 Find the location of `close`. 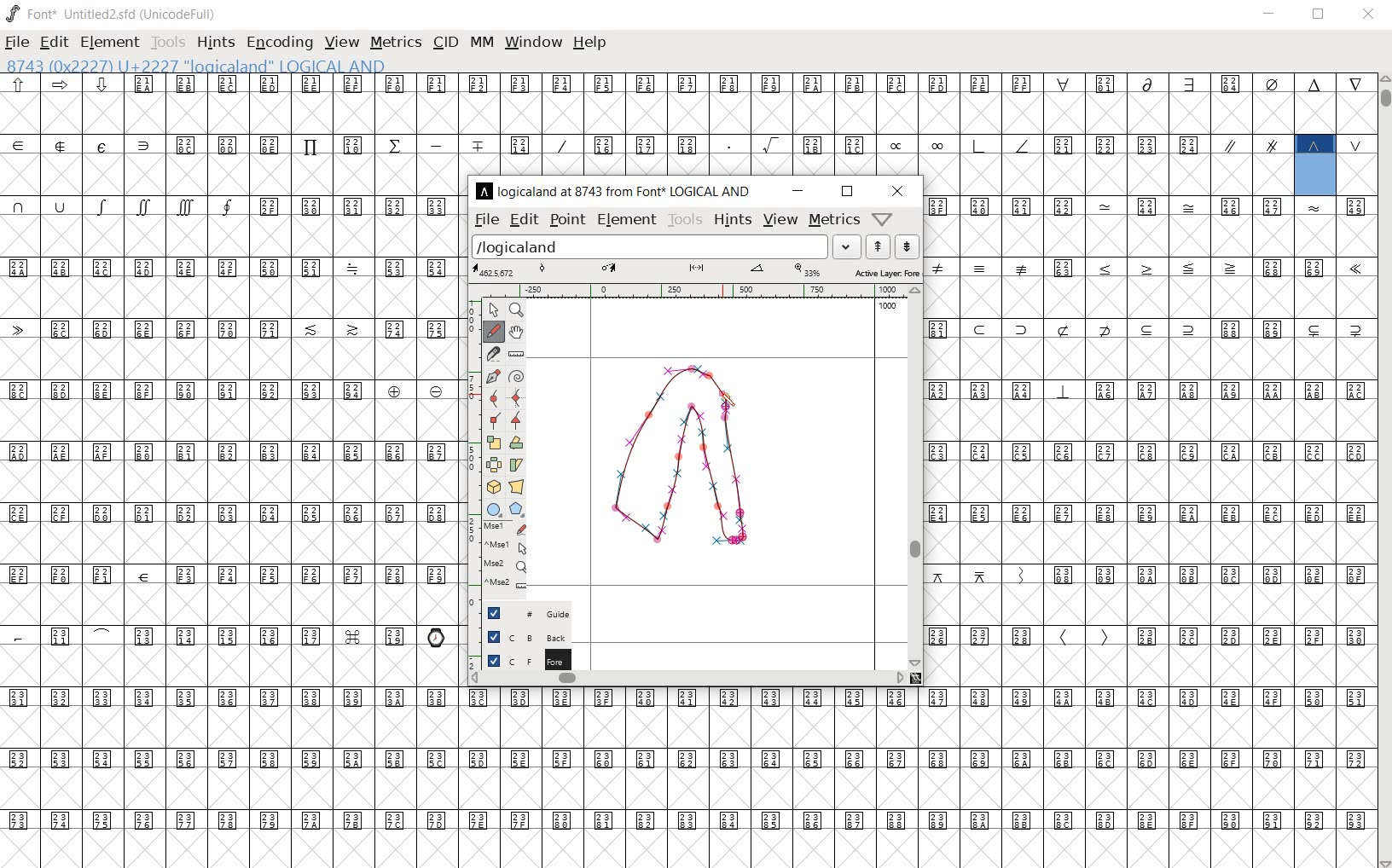

close is located at coordinates (1372, 14).